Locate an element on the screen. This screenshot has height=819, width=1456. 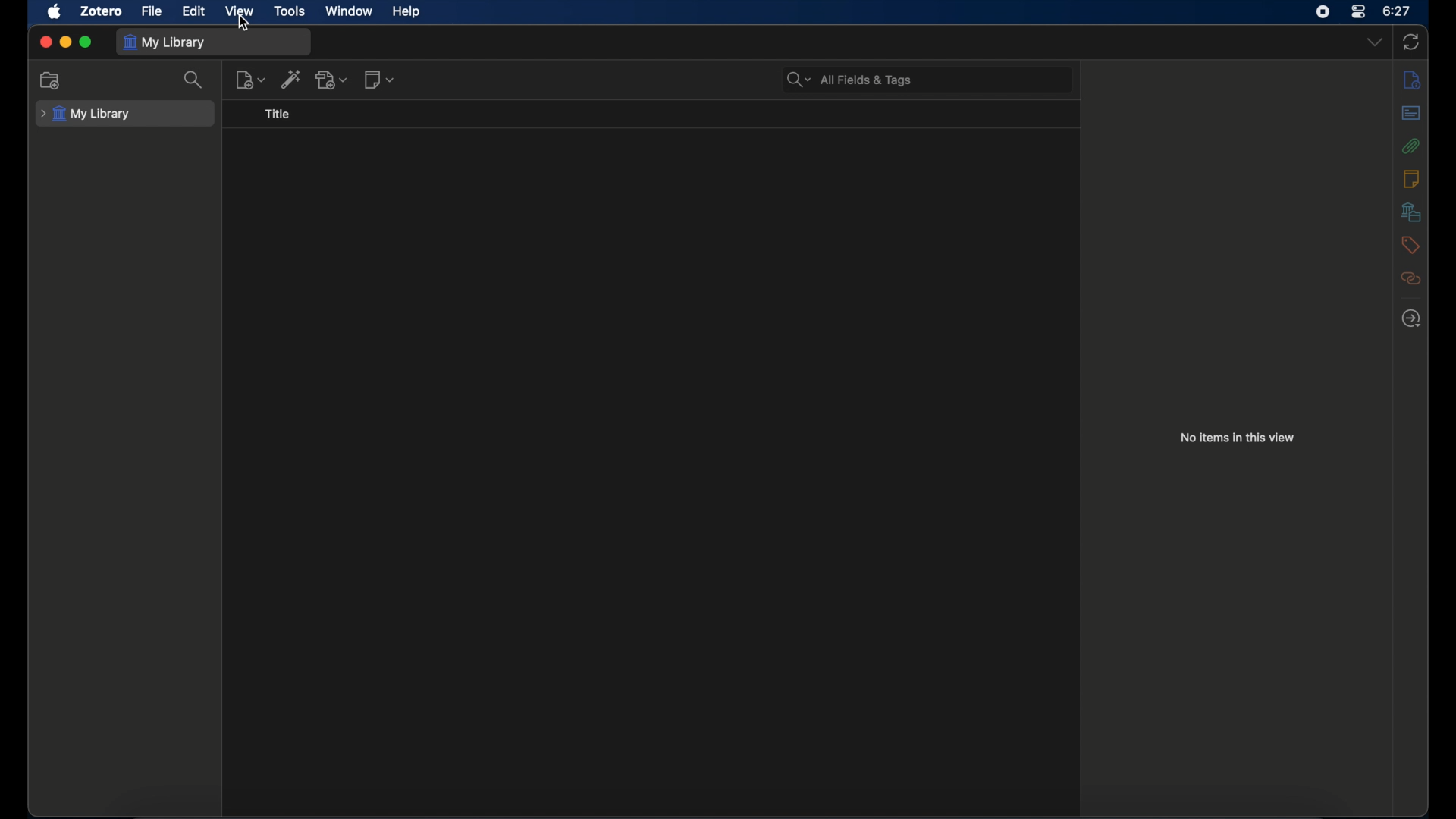
my library is located at coordinates (165, 42).